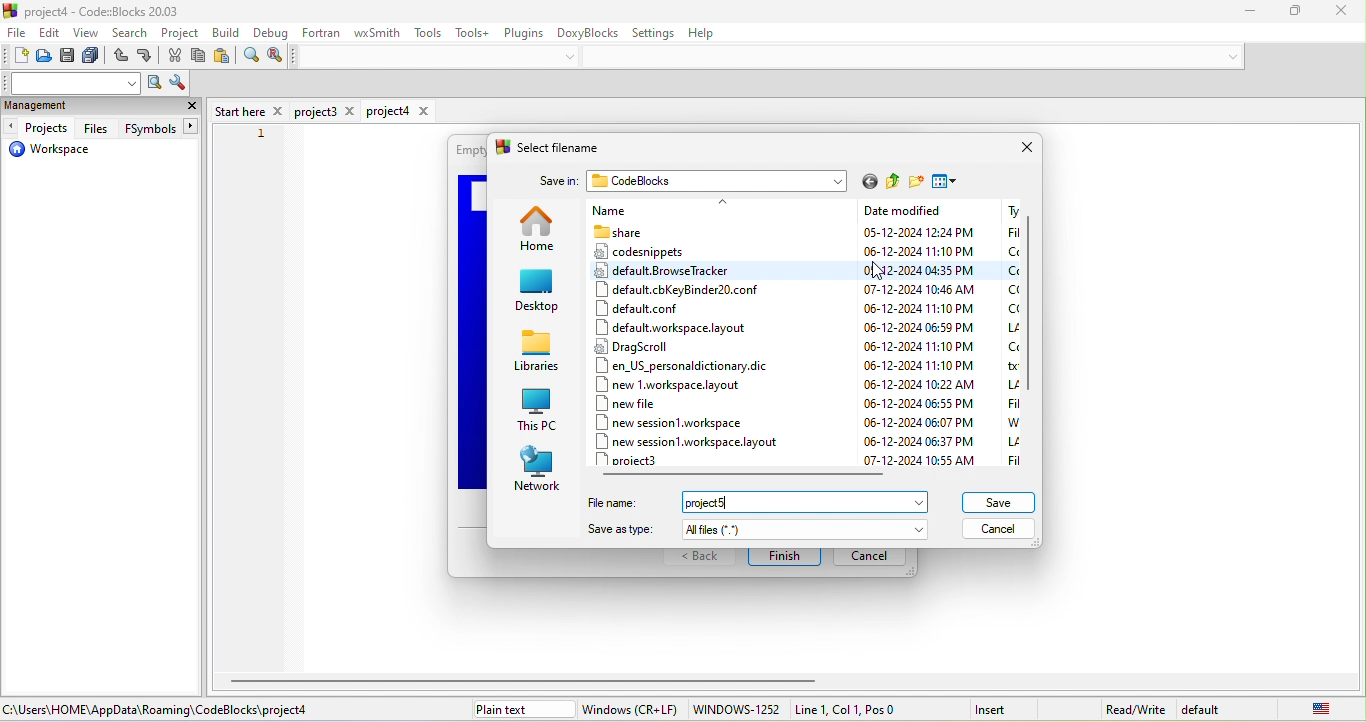 The image size is (1366, 722). Describe the element at coordinates (558, 178) in the screenshot. I see `save in` at that location.